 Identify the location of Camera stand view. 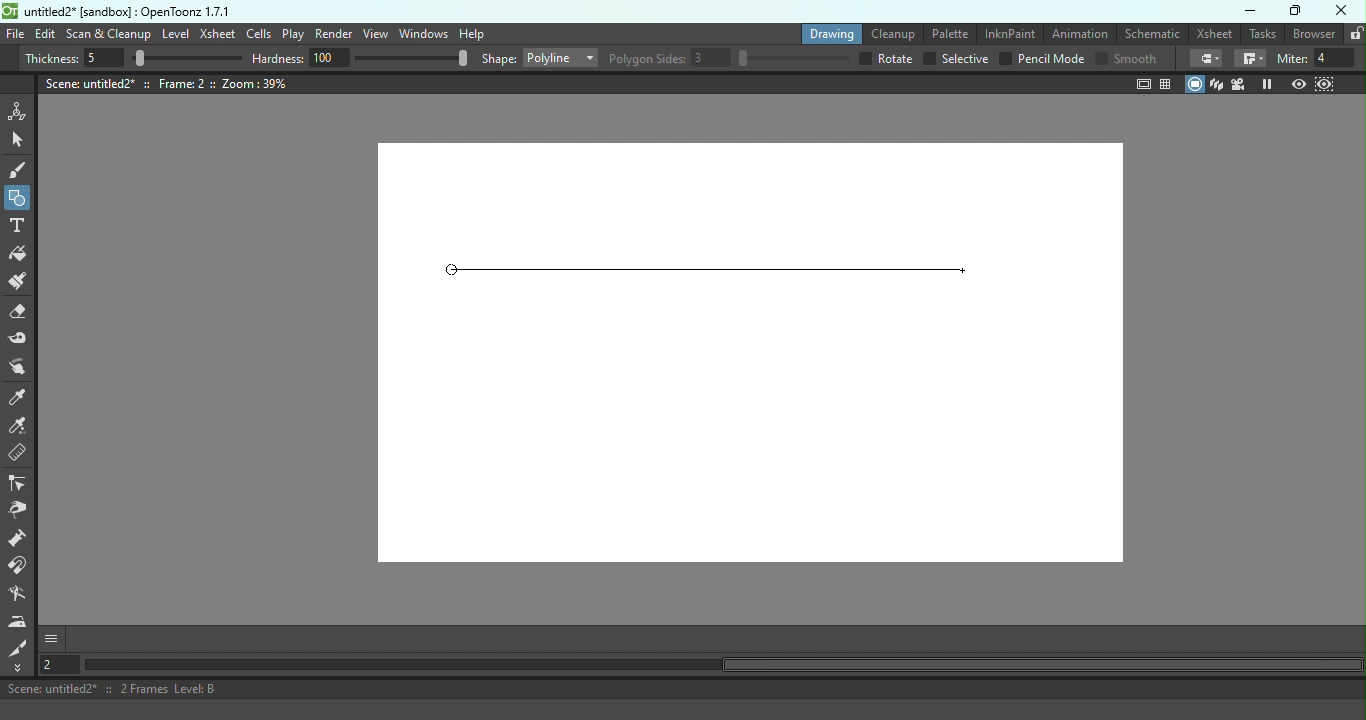
(1195, 85).